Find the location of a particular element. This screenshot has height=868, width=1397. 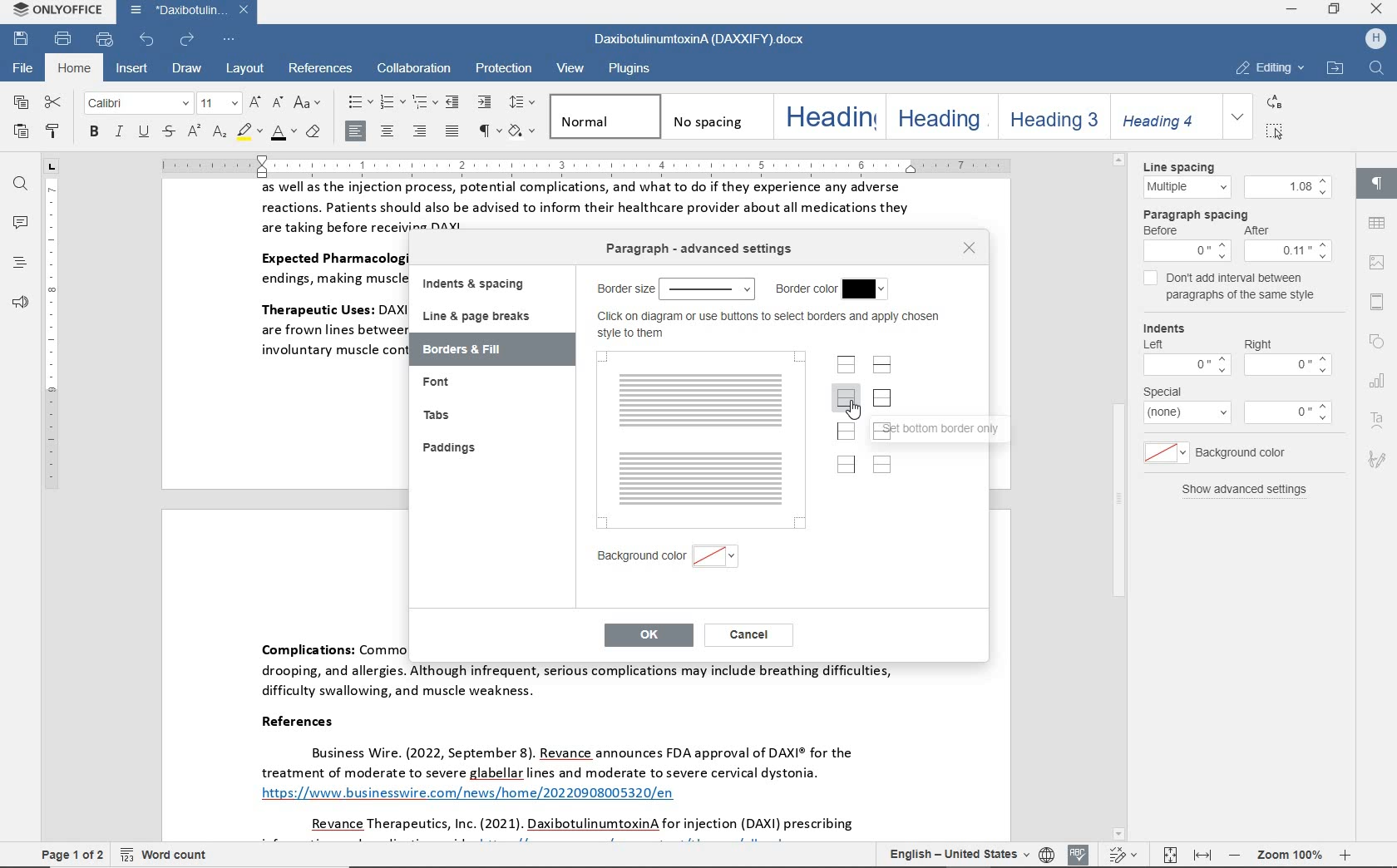

paste is located at coordinates (22, 133).